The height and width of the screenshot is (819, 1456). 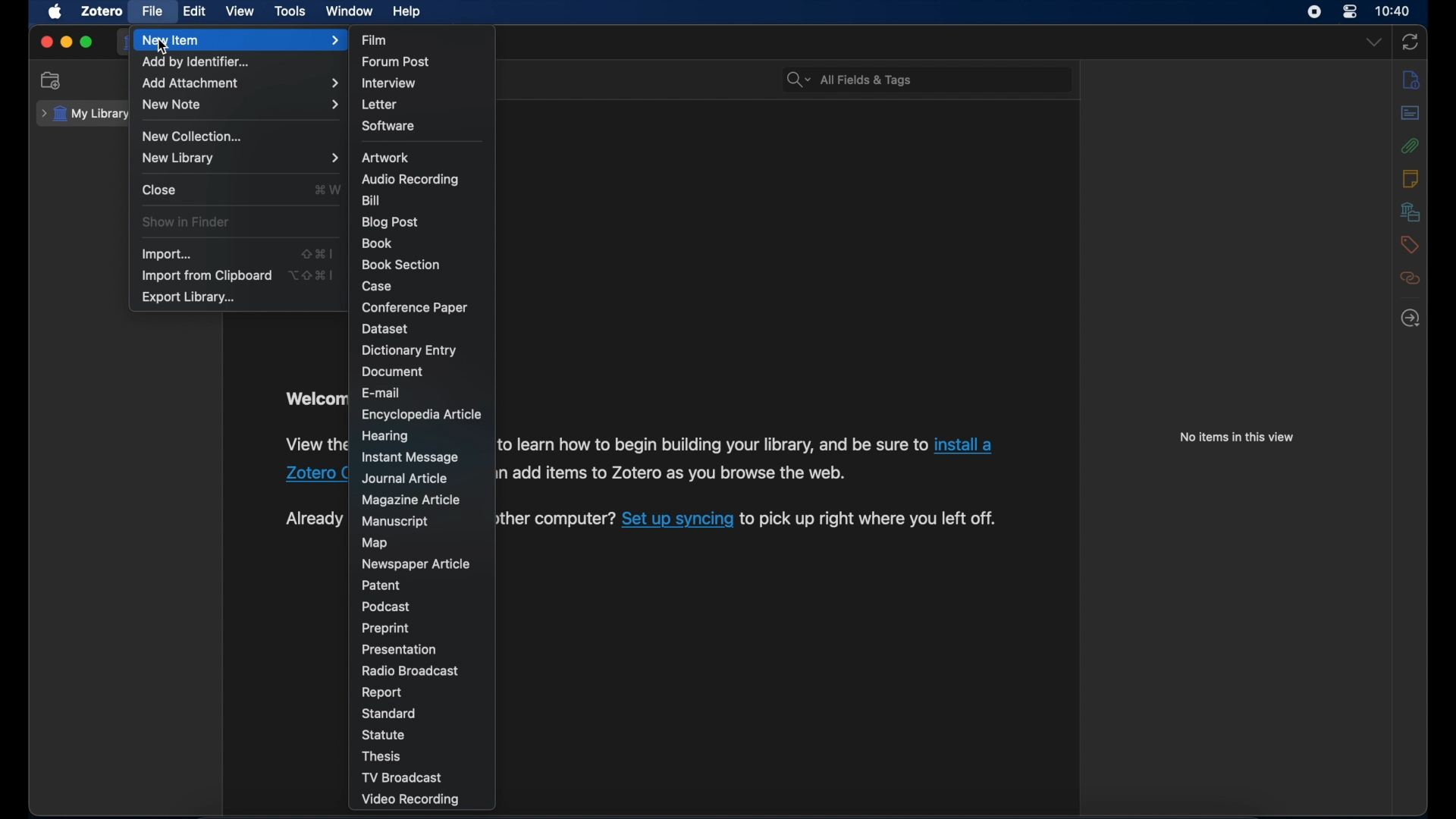 What do you see at coordinates (381, 585) in the screenshot?
I see `patent` at bounding box center [381, 585].